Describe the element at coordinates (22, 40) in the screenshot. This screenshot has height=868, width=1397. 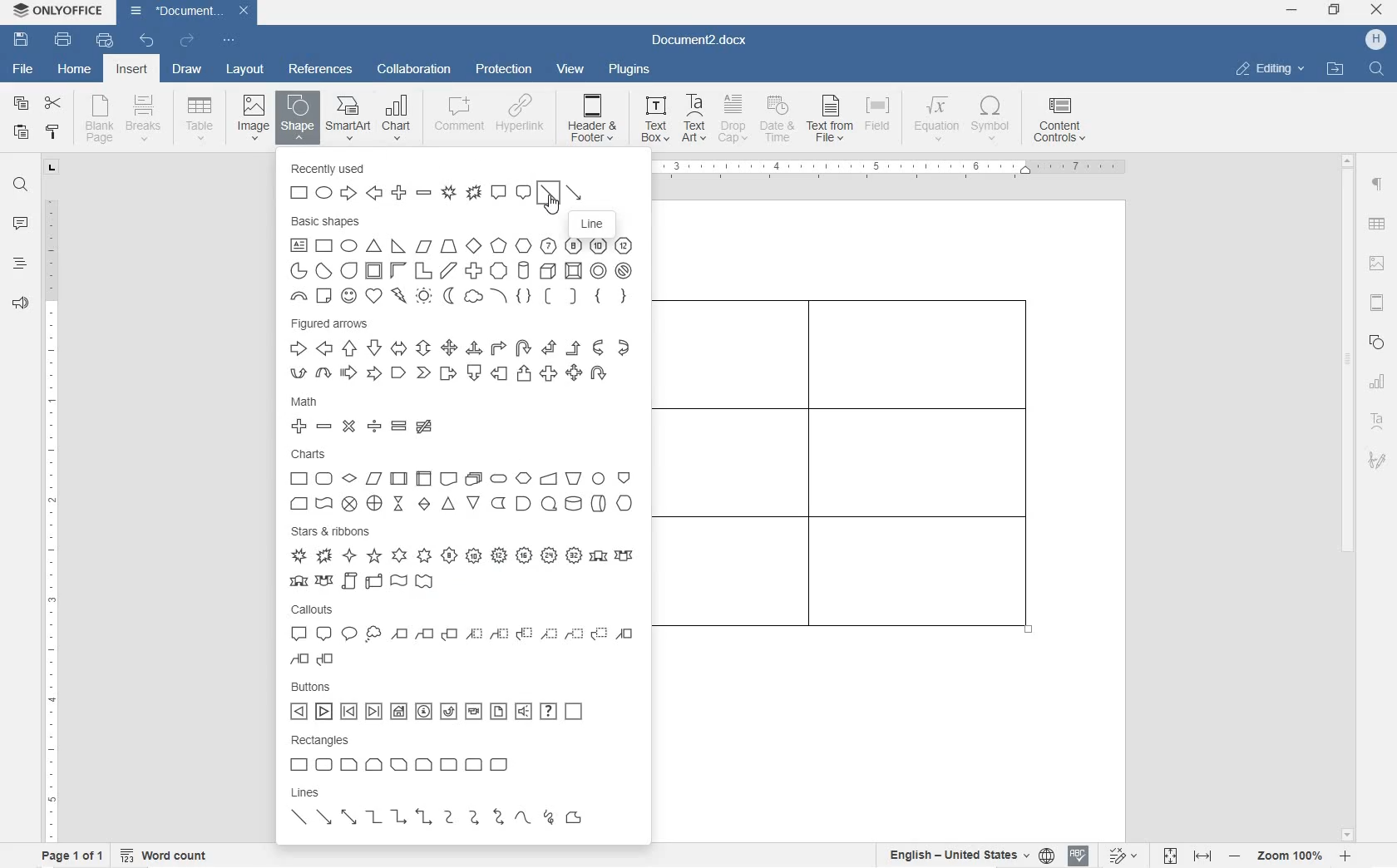
I see `save` at that location.